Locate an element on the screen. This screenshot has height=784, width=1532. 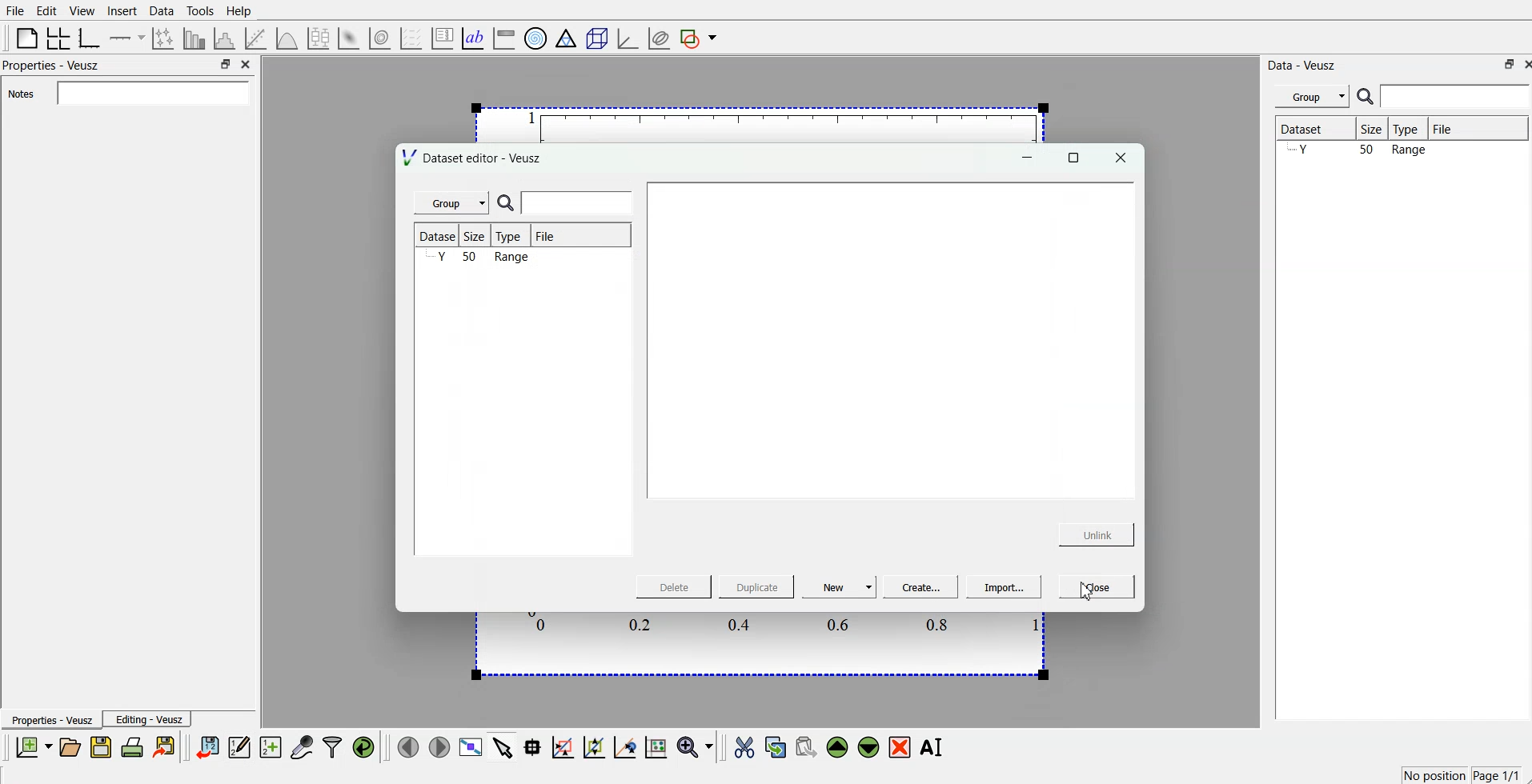
Unlink is located at coordinates (1097, 535).